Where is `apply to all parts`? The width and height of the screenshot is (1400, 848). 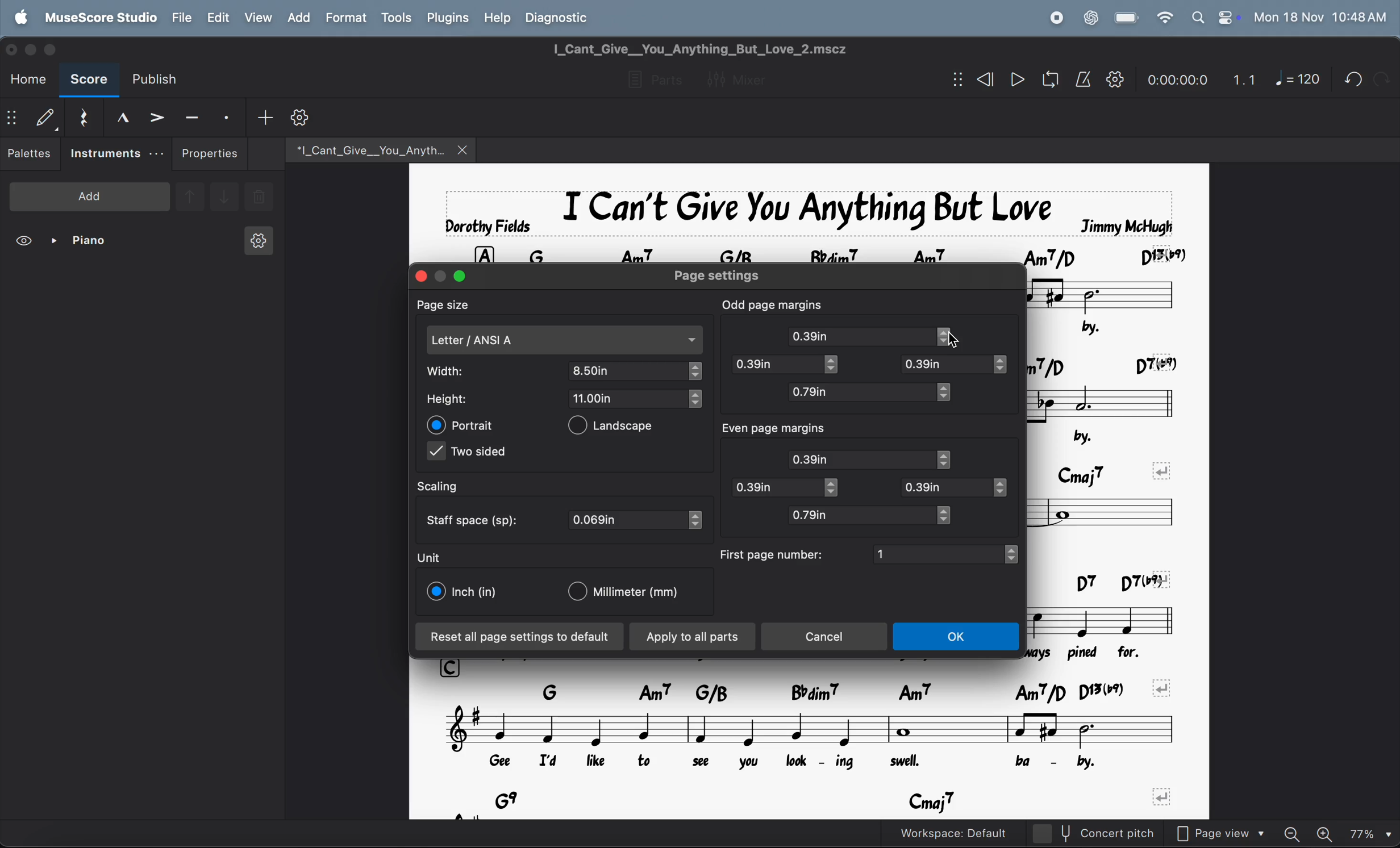
apply to all parts is located at coordinates (693, 638).